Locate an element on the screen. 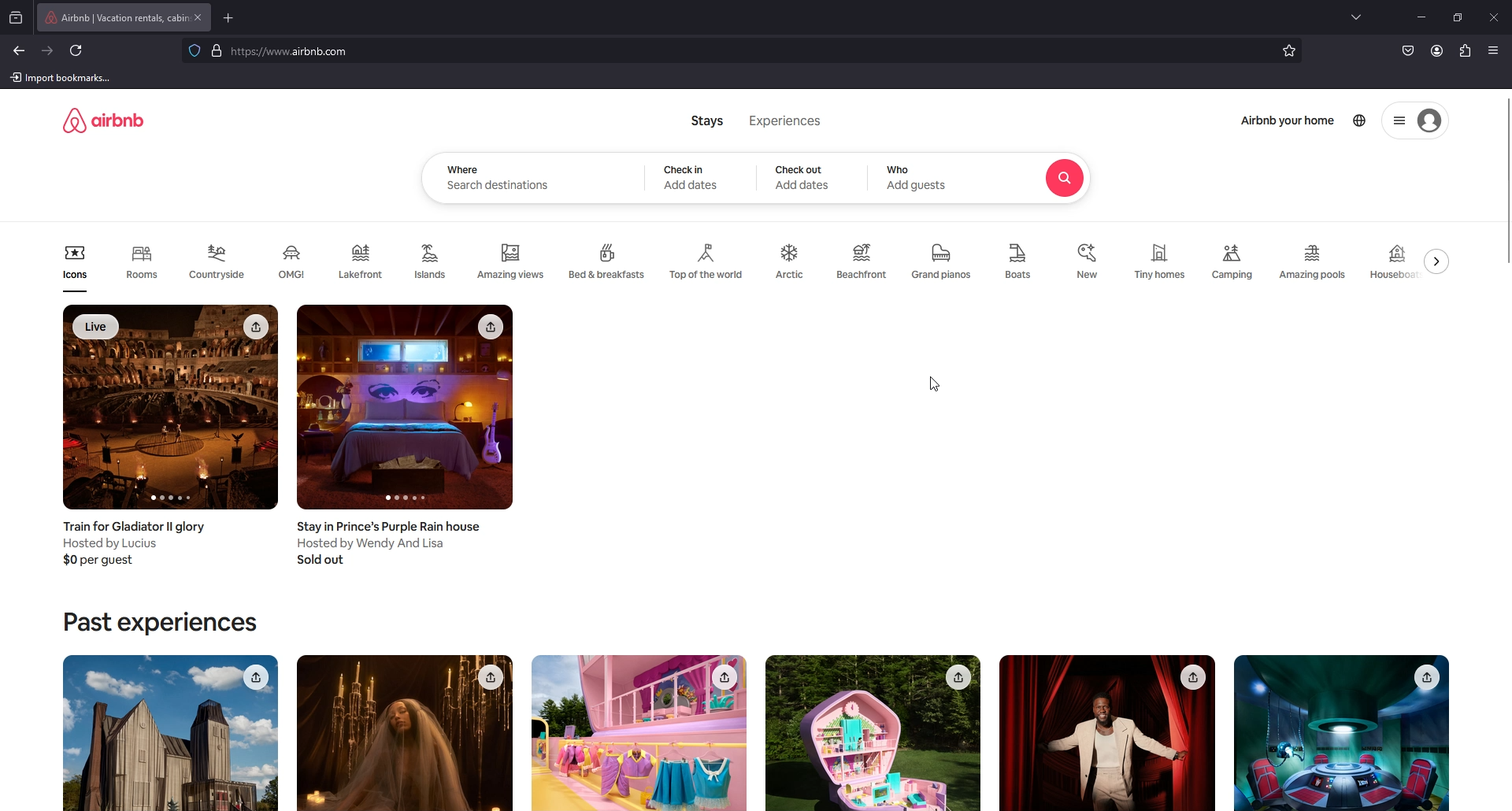 The image size is (1512, 811). Amazing views is located at coordinates (513, 262).